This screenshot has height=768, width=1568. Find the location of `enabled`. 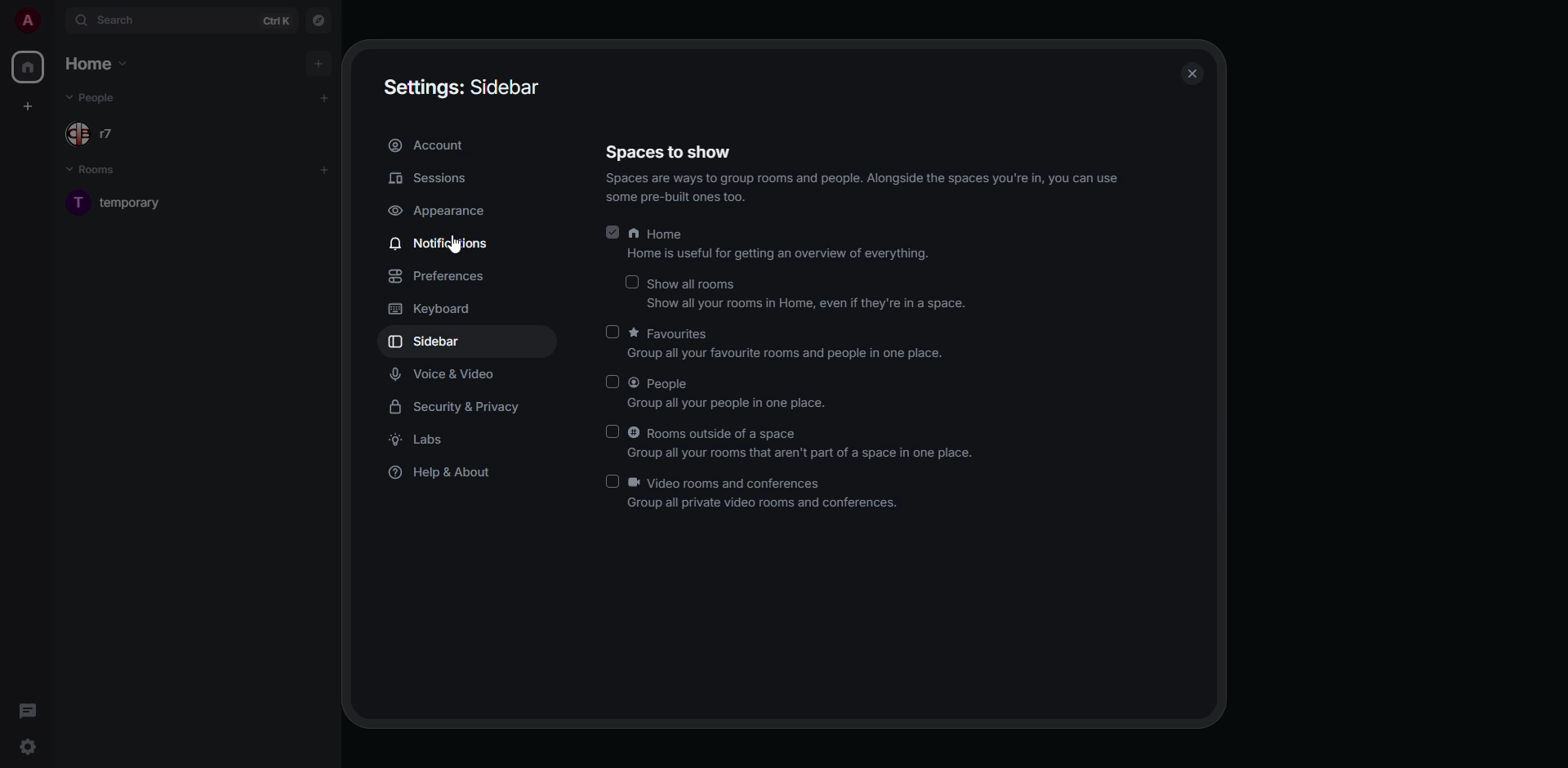

enabled is located at coordinates (610, 233).